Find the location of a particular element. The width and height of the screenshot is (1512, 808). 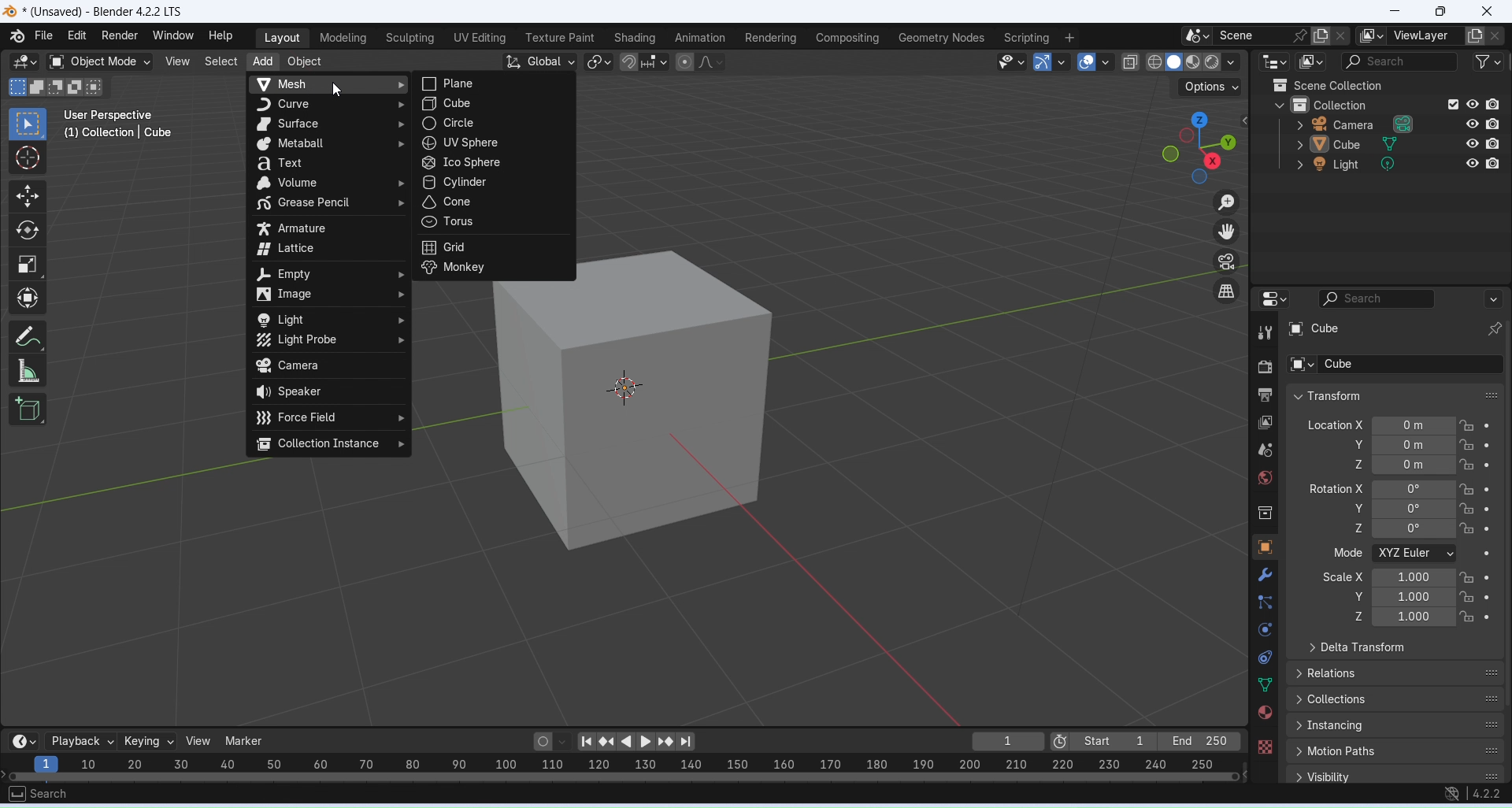

 is located at coordinates (1266, 514).